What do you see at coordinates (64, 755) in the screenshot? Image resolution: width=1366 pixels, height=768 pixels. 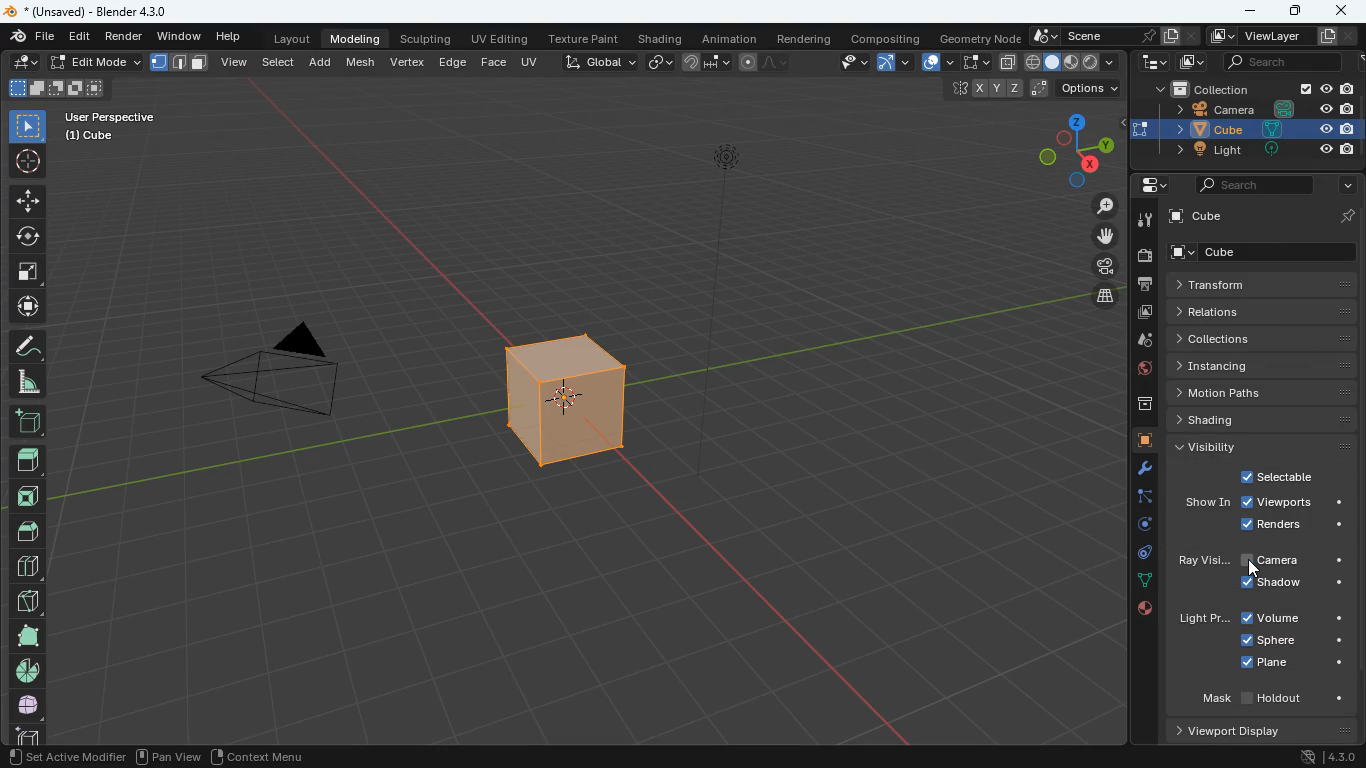 I see `set active modifier` at bounding box center [64, 755].